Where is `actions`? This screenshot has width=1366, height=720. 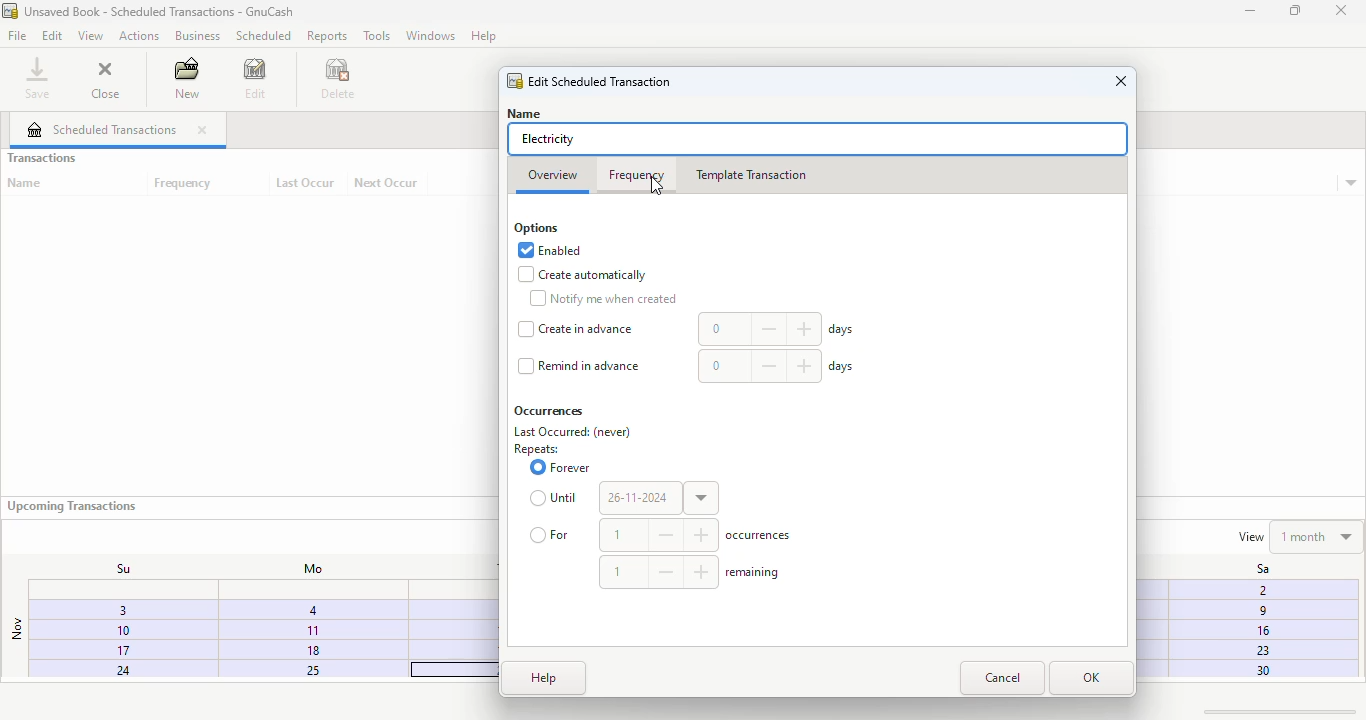 actions is located at coordinates (138, 36).